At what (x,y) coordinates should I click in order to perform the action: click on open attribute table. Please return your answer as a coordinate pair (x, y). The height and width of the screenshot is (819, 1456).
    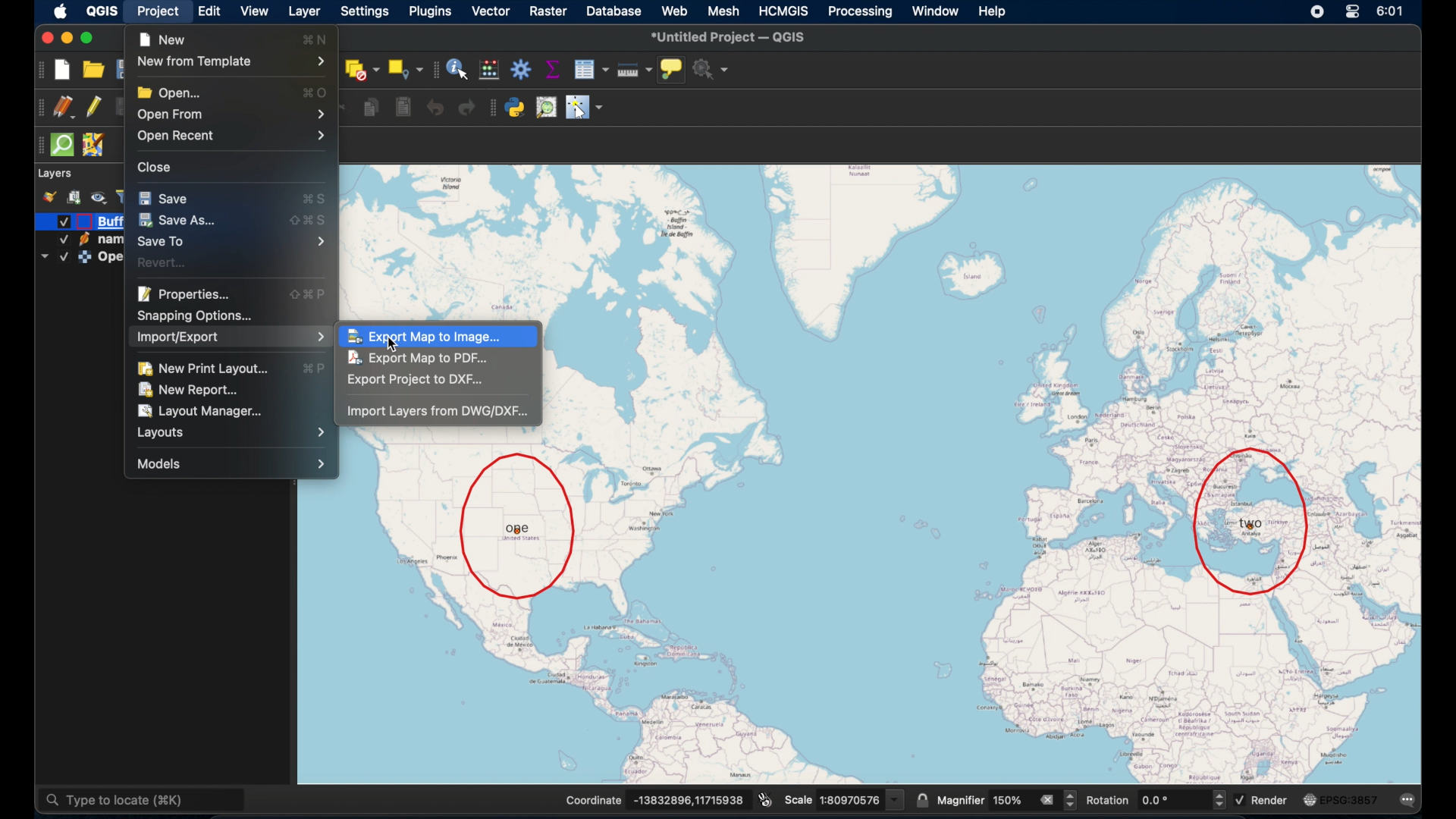
    Looking at the image, I should click on (590, 69).